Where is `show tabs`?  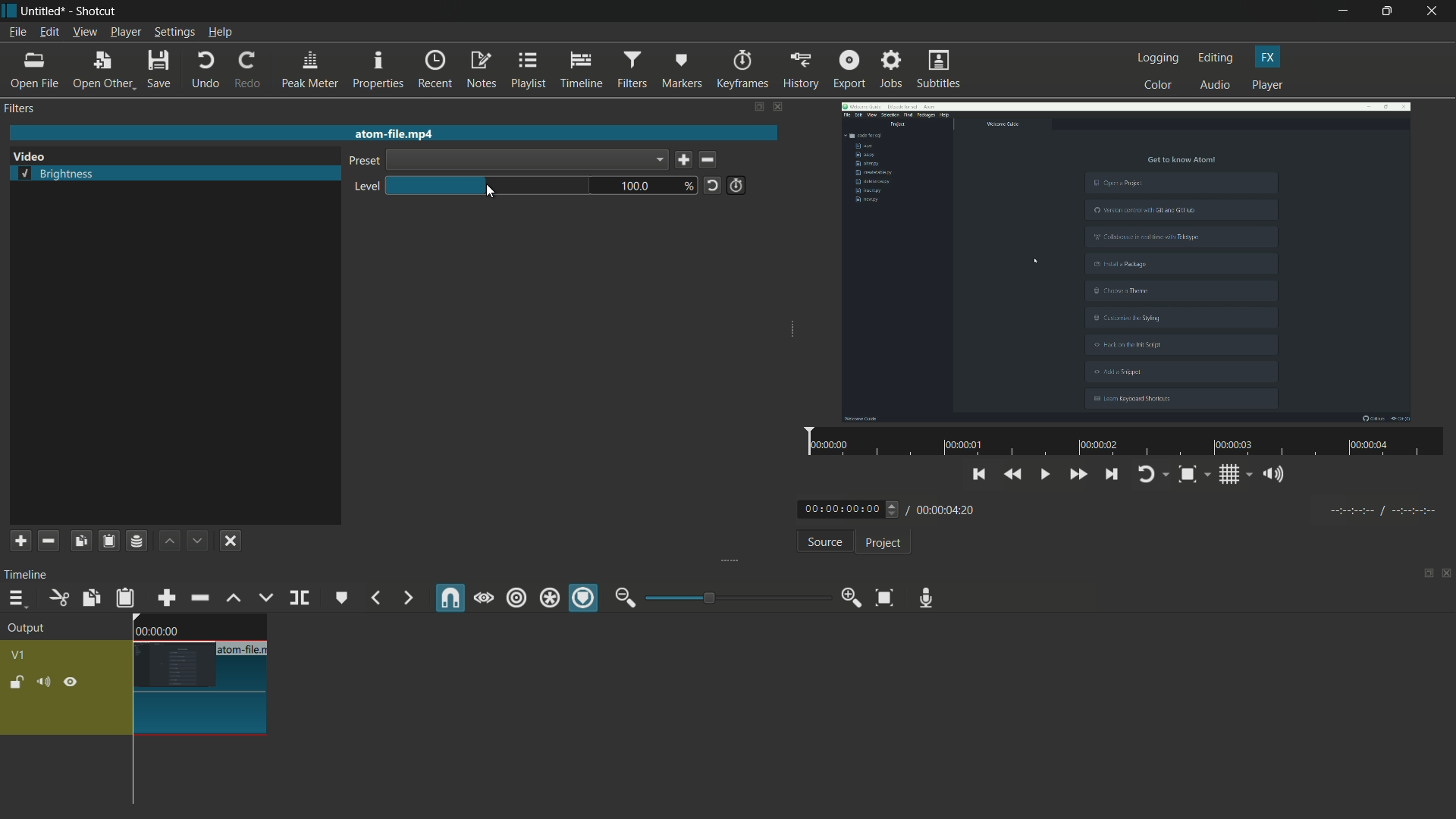 show tabs is located at coordinates (1423, 575).